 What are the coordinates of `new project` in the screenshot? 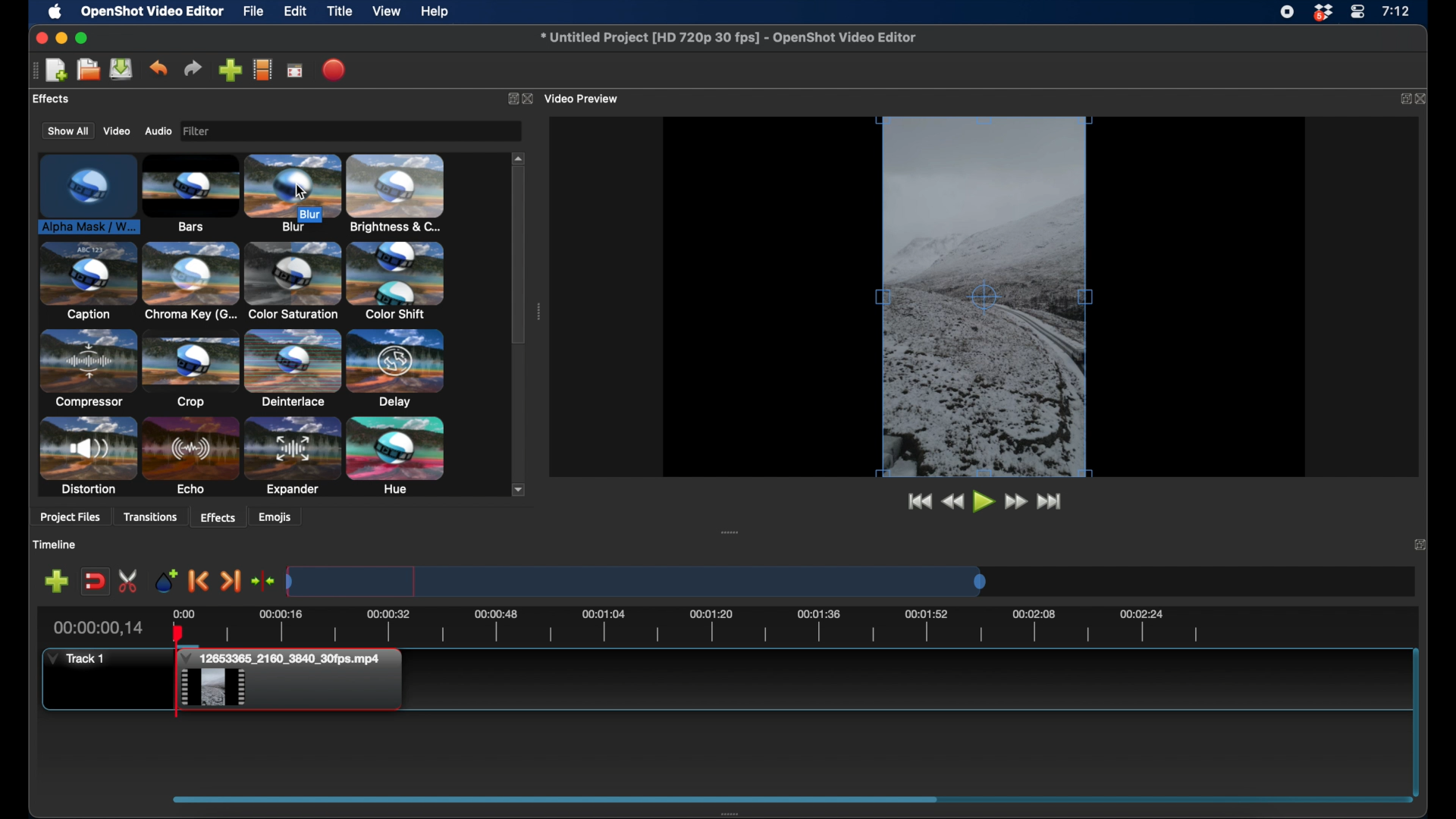 It's located at (56, 71).